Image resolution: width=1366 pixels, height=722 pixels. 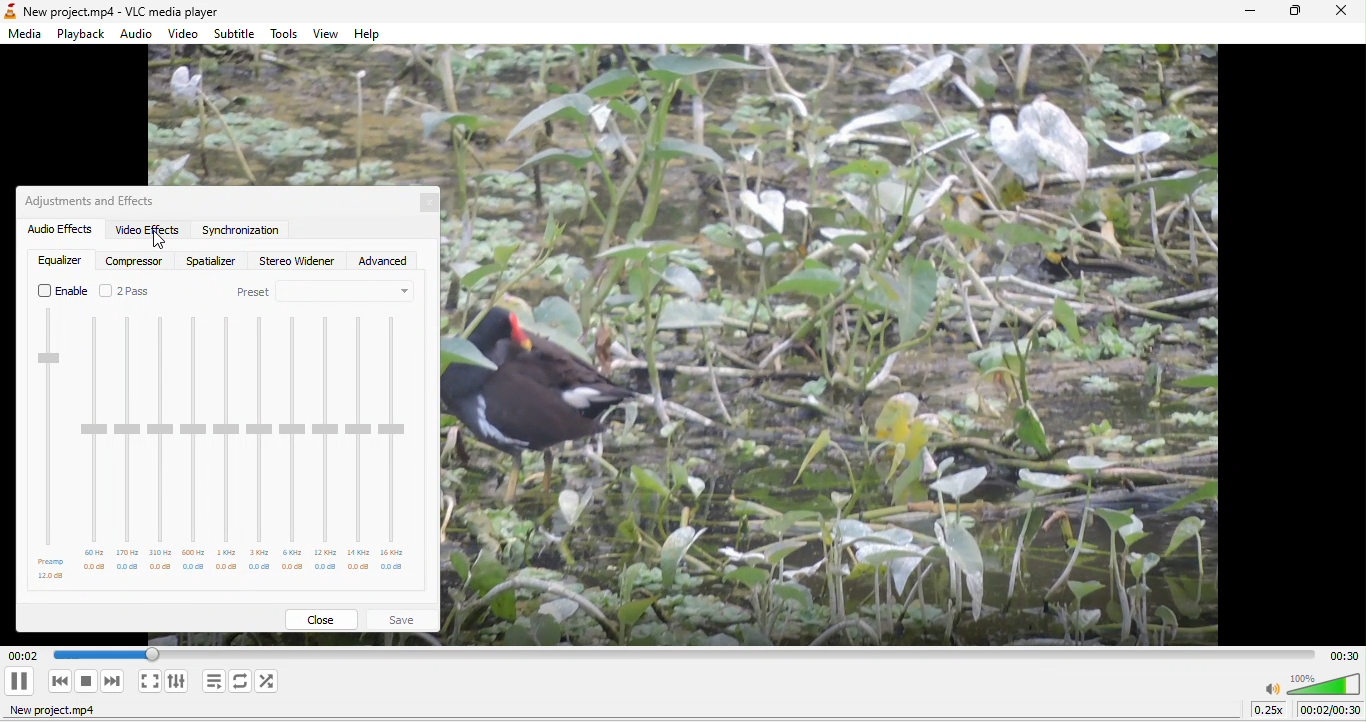 I want to click on close, so click(x=321, y=619).